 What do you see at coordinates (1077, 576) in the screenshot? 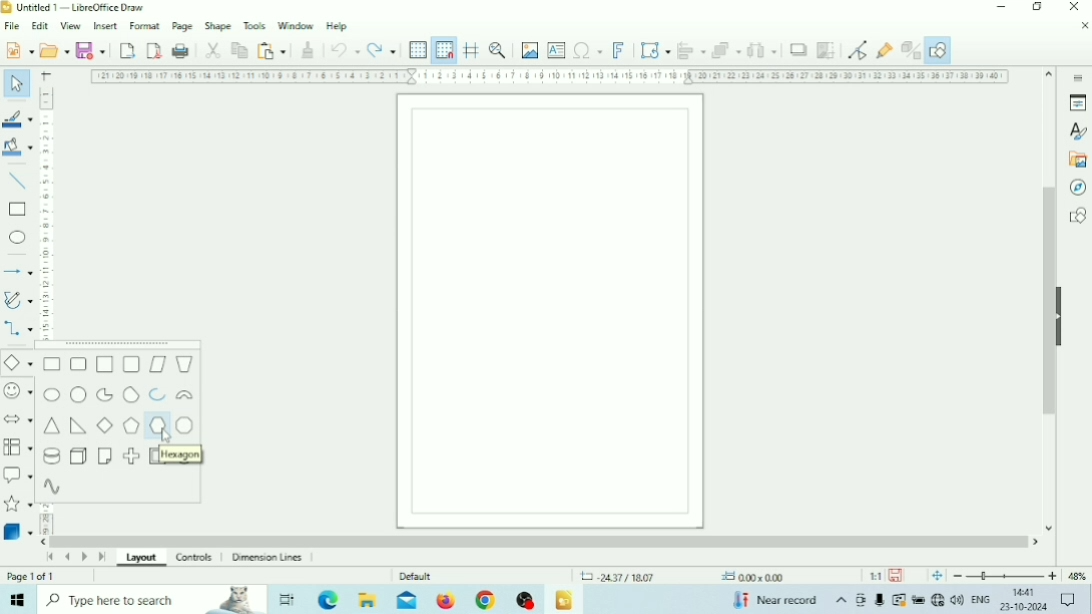
I see `Zoom factor` at bounding box center [1077, 576].